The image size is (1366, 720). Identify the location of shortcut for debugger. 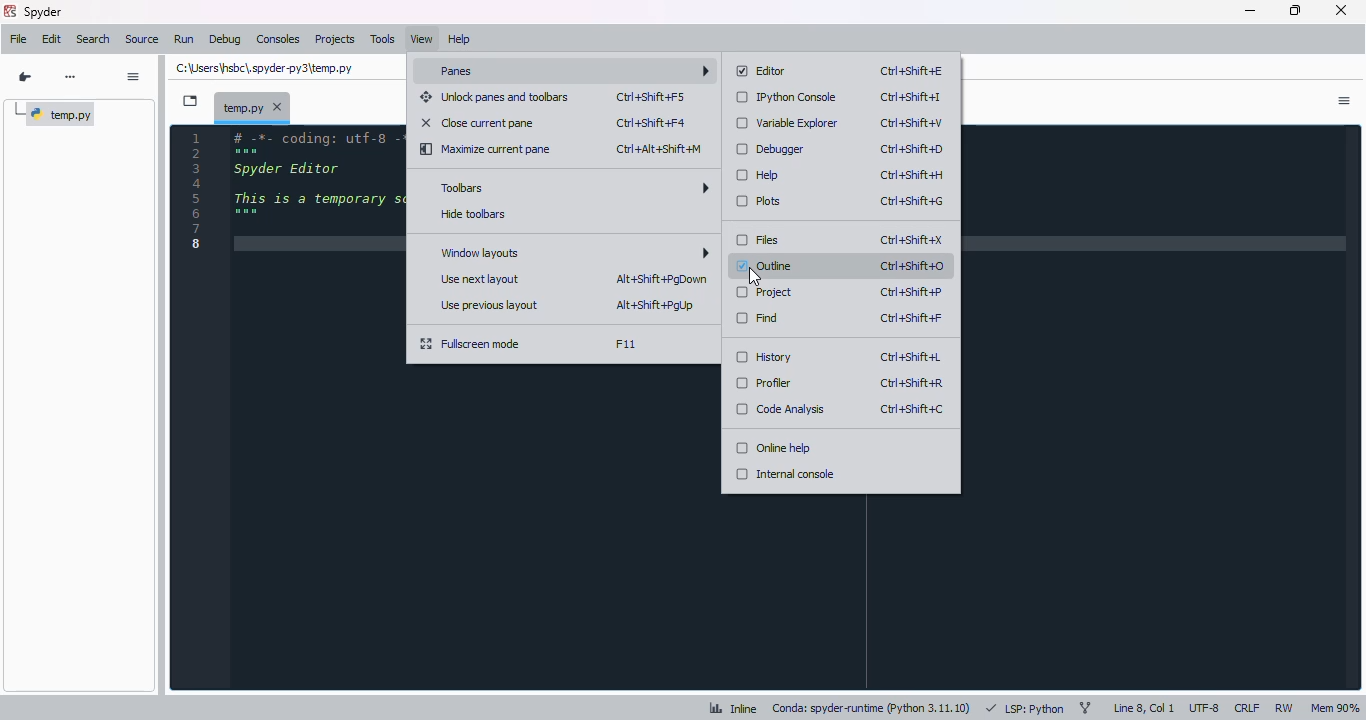
(912, 150).